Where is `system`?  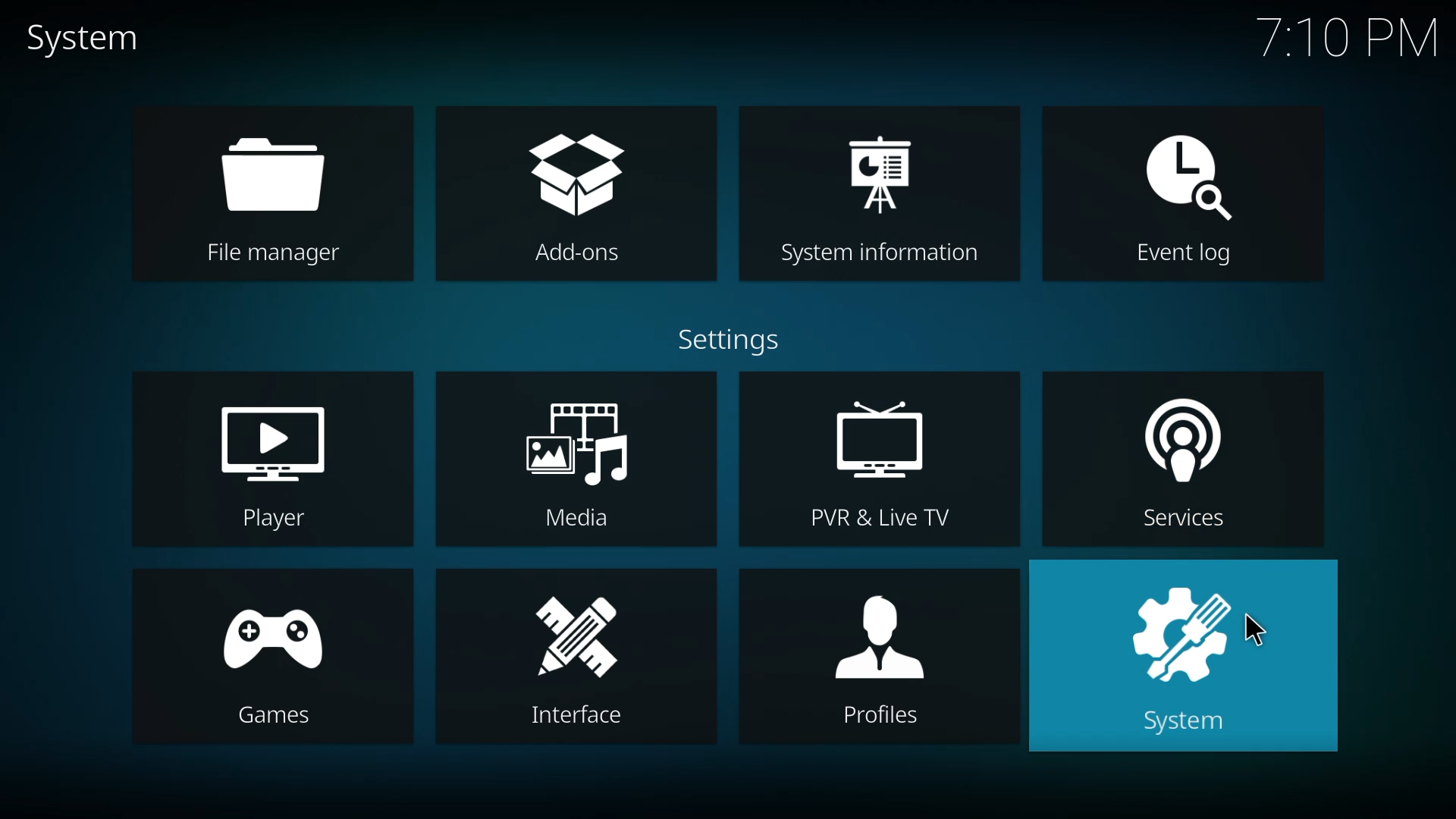
system is located at coordinates (1186, 657).